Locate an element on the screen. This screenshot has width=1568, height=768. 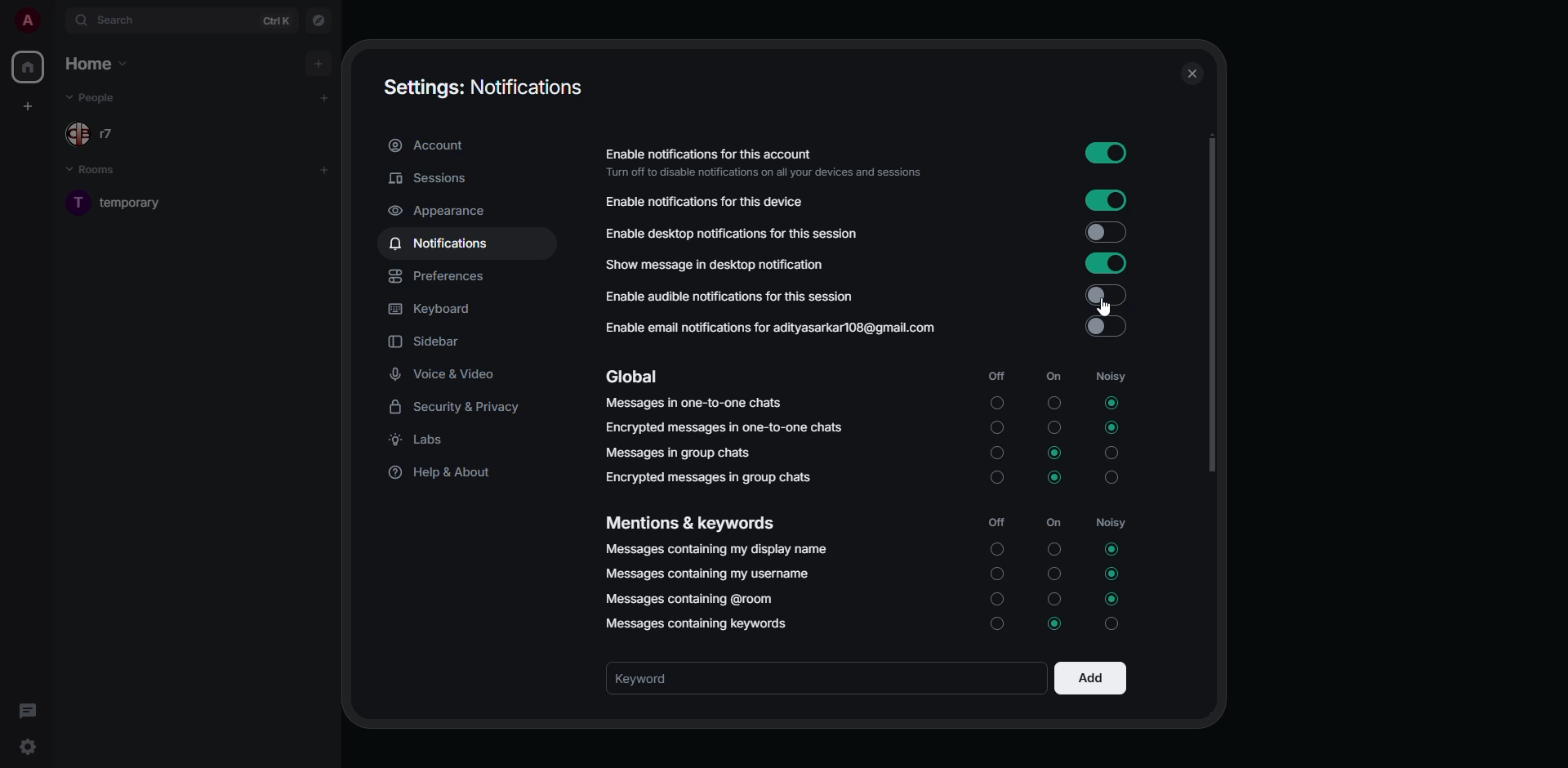
on is located at coordinates (1053, 522).